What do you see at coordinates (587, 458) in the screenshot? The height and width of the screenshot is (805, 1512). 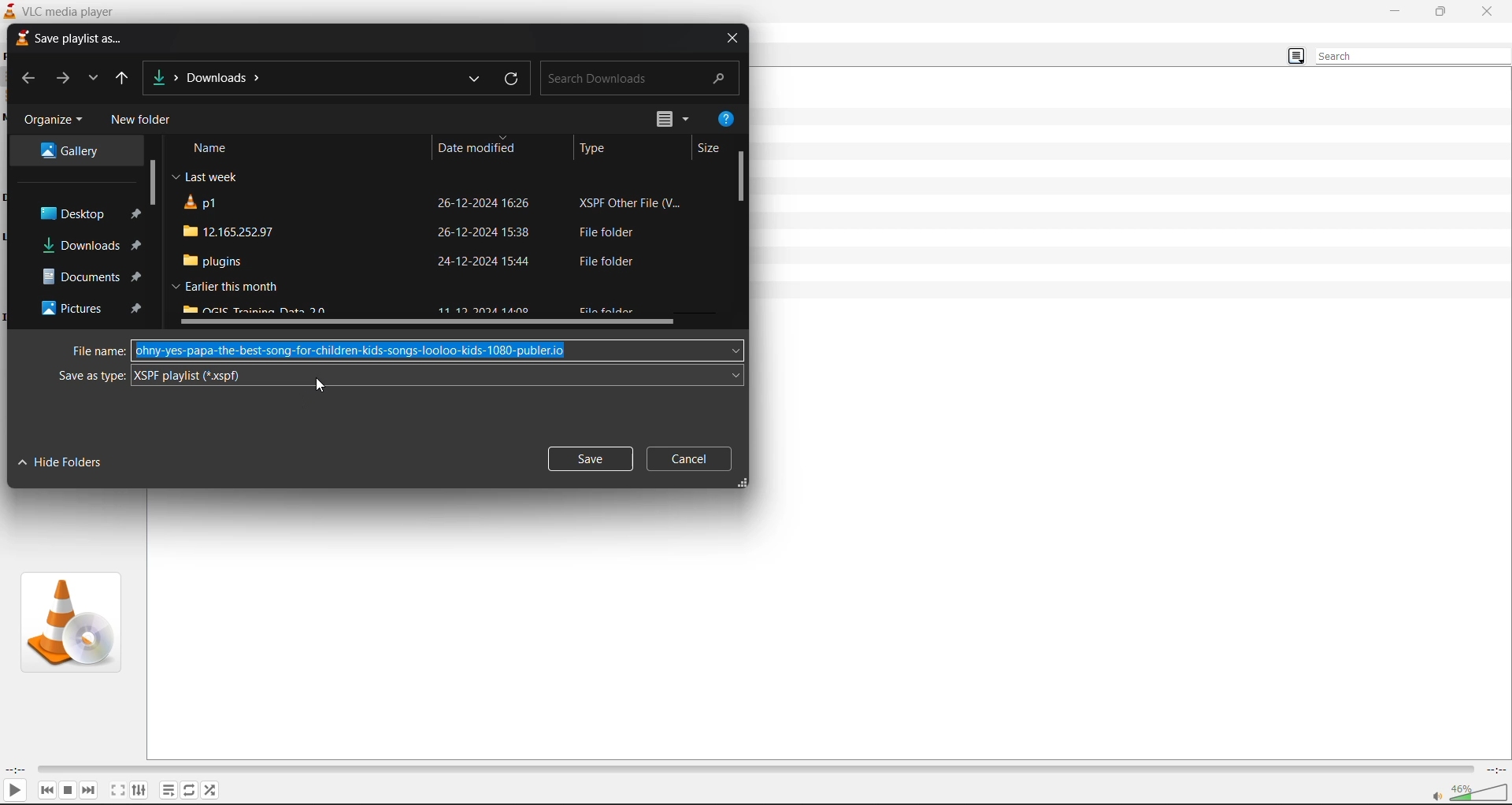 I see `save` at bounding box center [587, 458].